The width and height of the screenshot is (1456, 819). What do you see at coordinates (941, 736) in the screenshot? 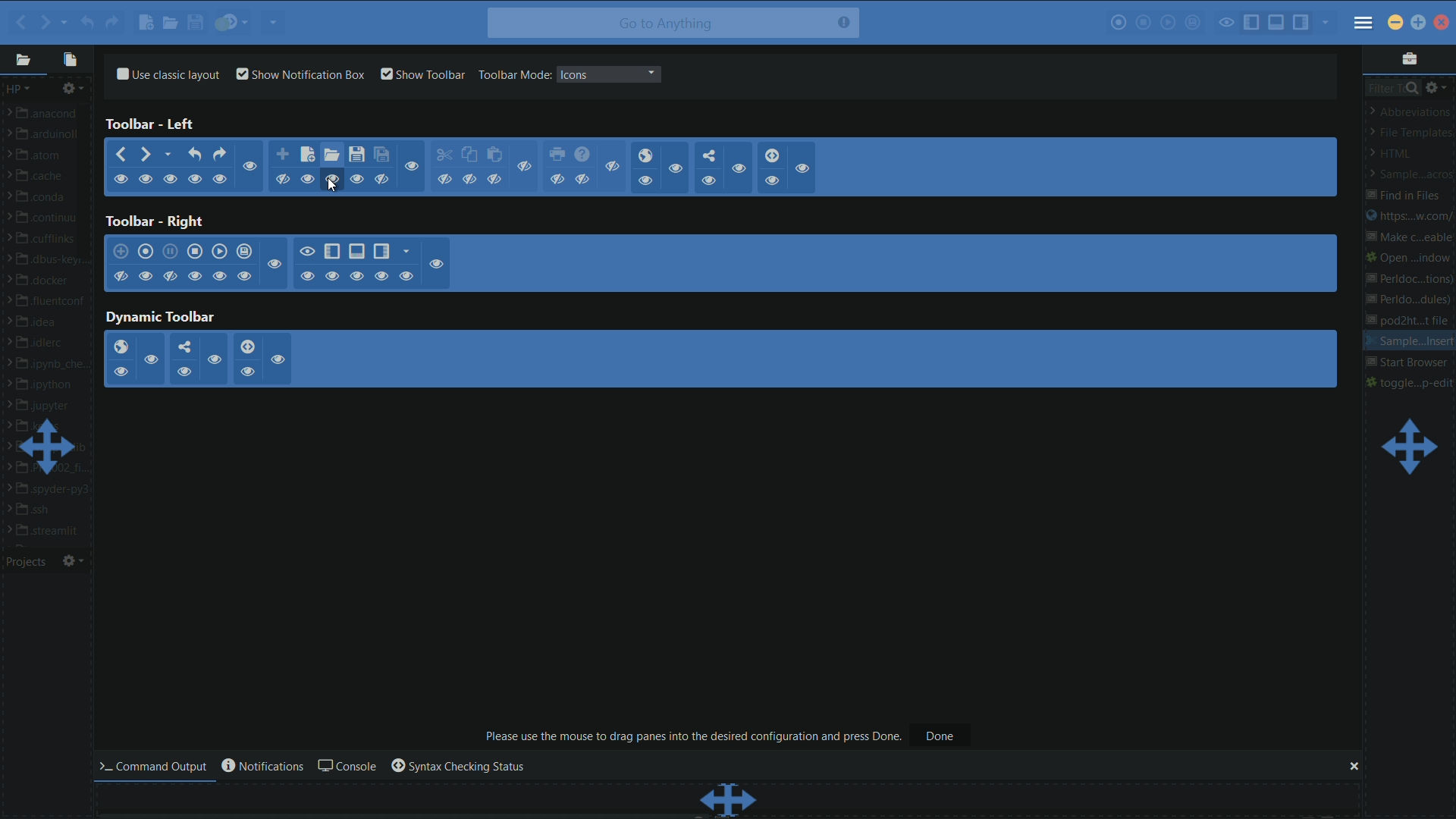
I see `done` at bounding box center [941, 736].